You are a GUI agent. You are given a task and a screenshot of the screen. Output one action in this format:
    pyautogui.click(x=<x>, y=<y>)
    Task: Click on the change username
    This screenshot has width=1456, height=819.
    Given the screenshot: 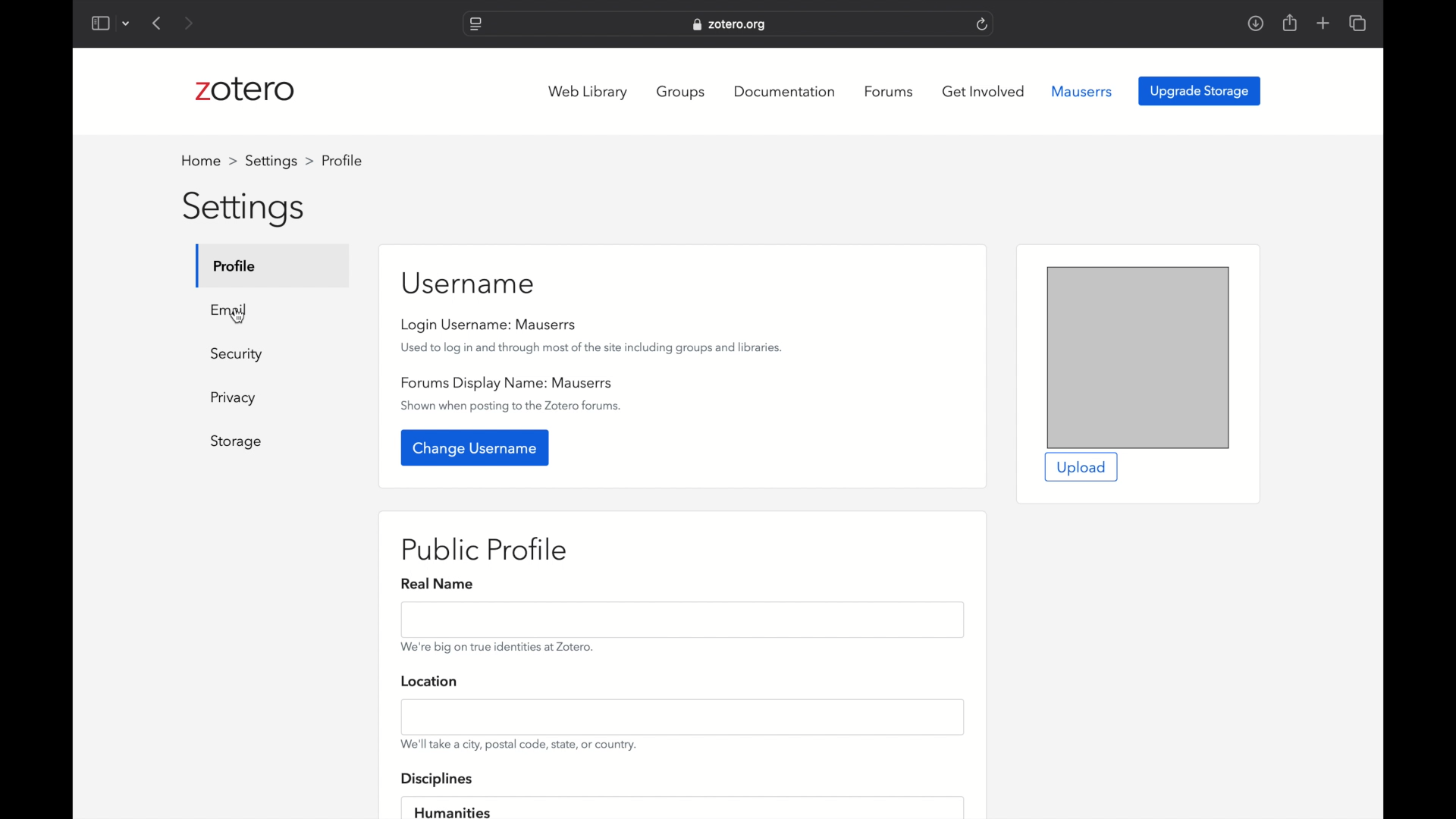 What is the action you would take?
    pyautogui.click(x=476, y=447)
    